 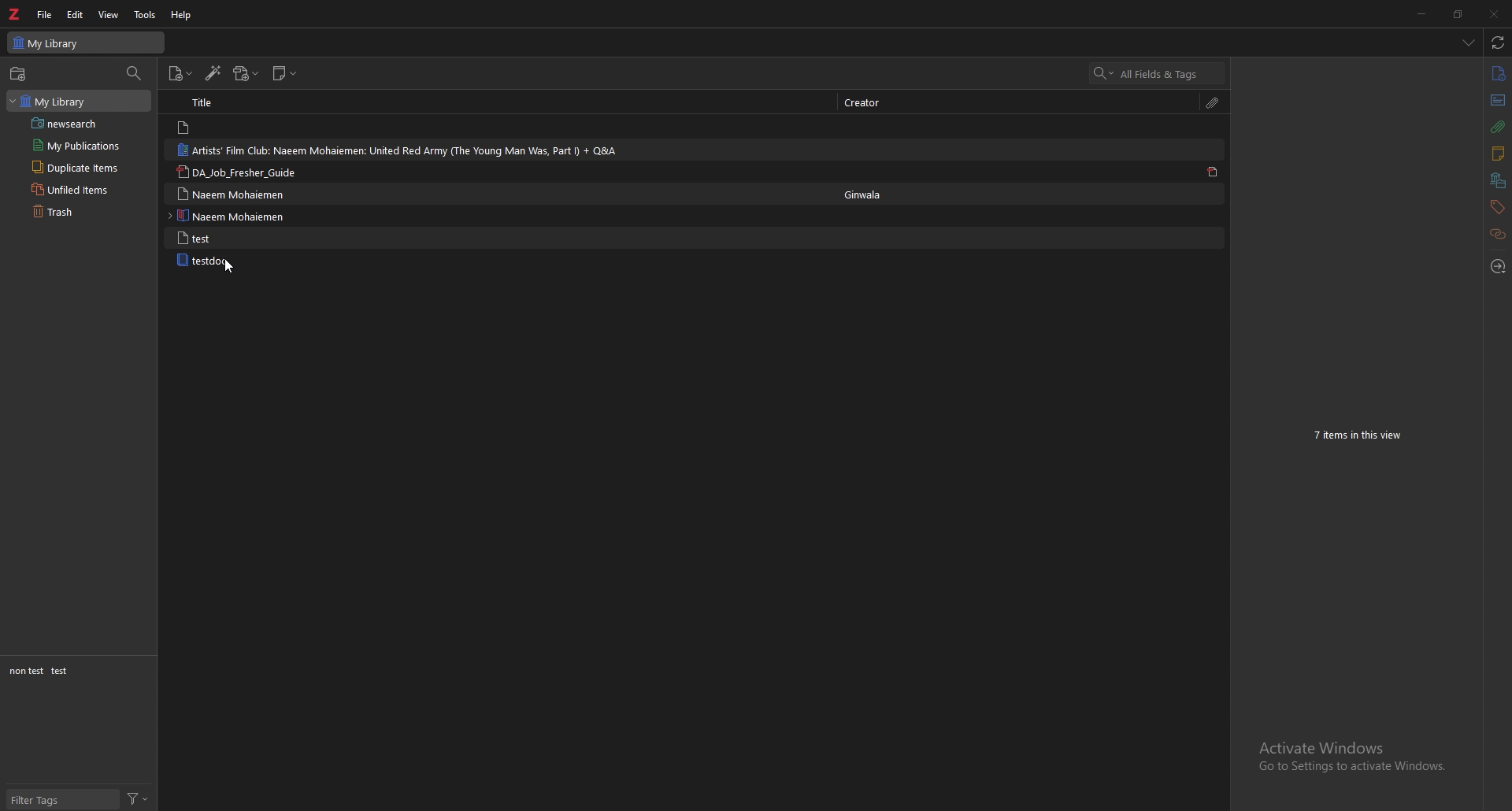 What do you see at coordinates (1496, 127) in the screenshot?
I see `attachment` at bounding box center [1496, 127].